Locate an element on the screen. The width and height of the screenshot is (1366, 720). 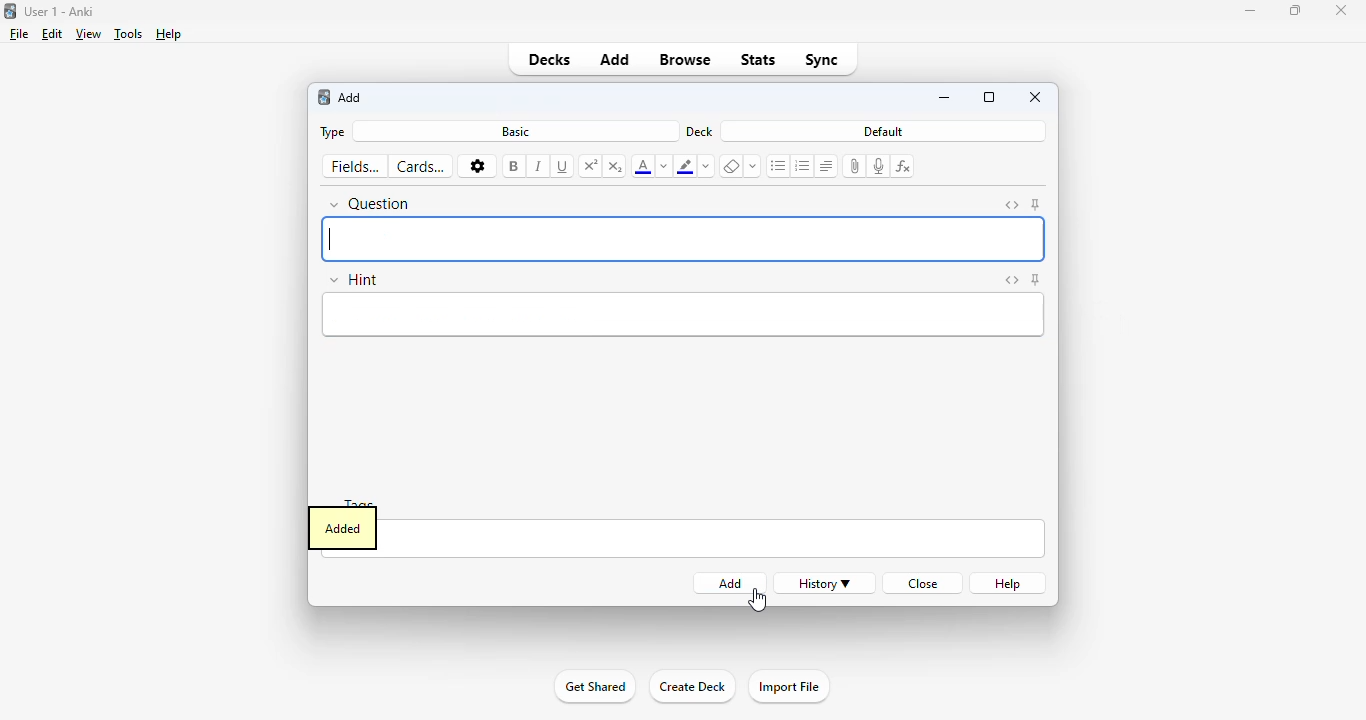
help is located at coordinates (1009, 584).